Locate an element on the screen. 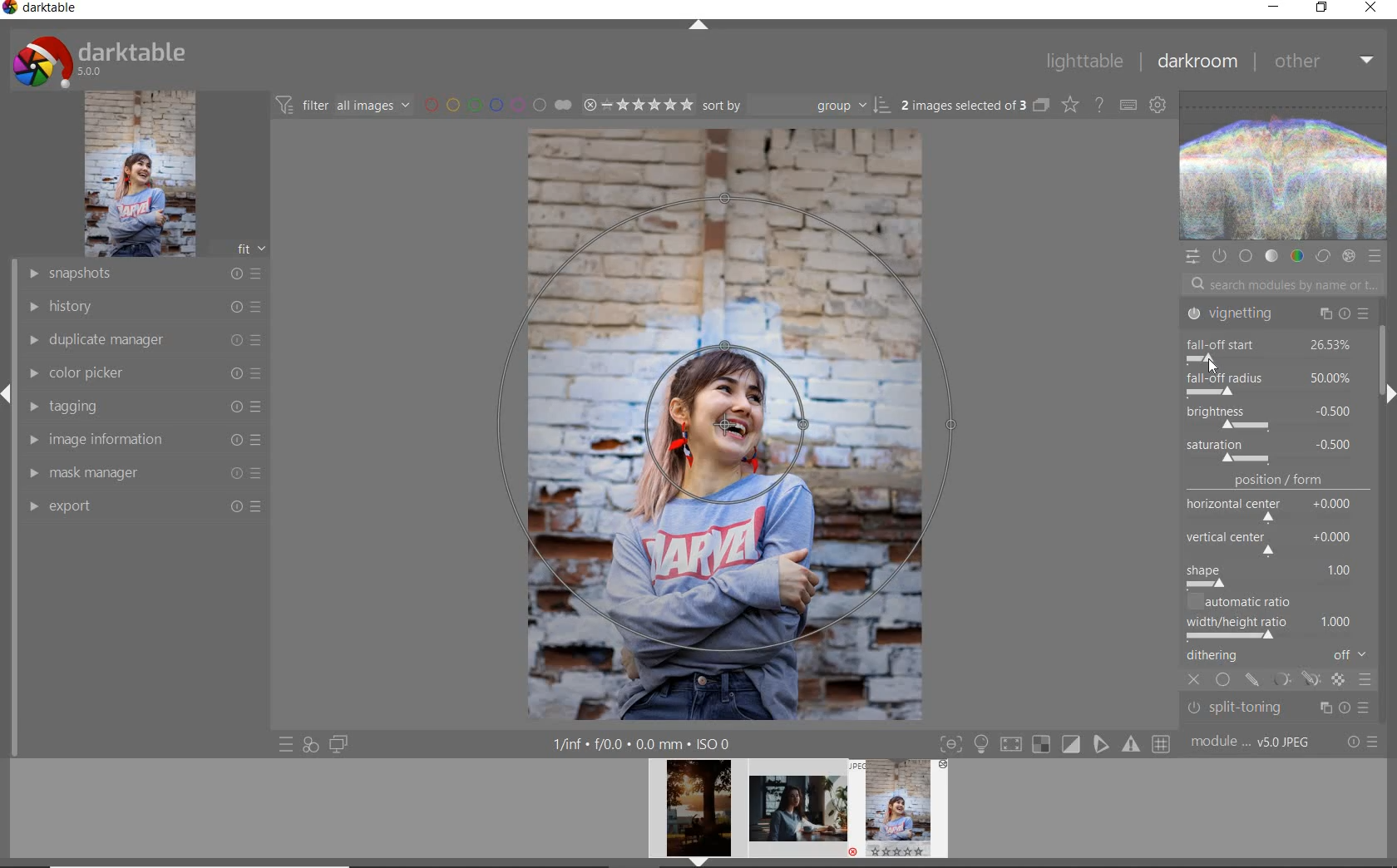 The height and width of the screenshot is (868, 1397). export is located at coordinates (143, 506).